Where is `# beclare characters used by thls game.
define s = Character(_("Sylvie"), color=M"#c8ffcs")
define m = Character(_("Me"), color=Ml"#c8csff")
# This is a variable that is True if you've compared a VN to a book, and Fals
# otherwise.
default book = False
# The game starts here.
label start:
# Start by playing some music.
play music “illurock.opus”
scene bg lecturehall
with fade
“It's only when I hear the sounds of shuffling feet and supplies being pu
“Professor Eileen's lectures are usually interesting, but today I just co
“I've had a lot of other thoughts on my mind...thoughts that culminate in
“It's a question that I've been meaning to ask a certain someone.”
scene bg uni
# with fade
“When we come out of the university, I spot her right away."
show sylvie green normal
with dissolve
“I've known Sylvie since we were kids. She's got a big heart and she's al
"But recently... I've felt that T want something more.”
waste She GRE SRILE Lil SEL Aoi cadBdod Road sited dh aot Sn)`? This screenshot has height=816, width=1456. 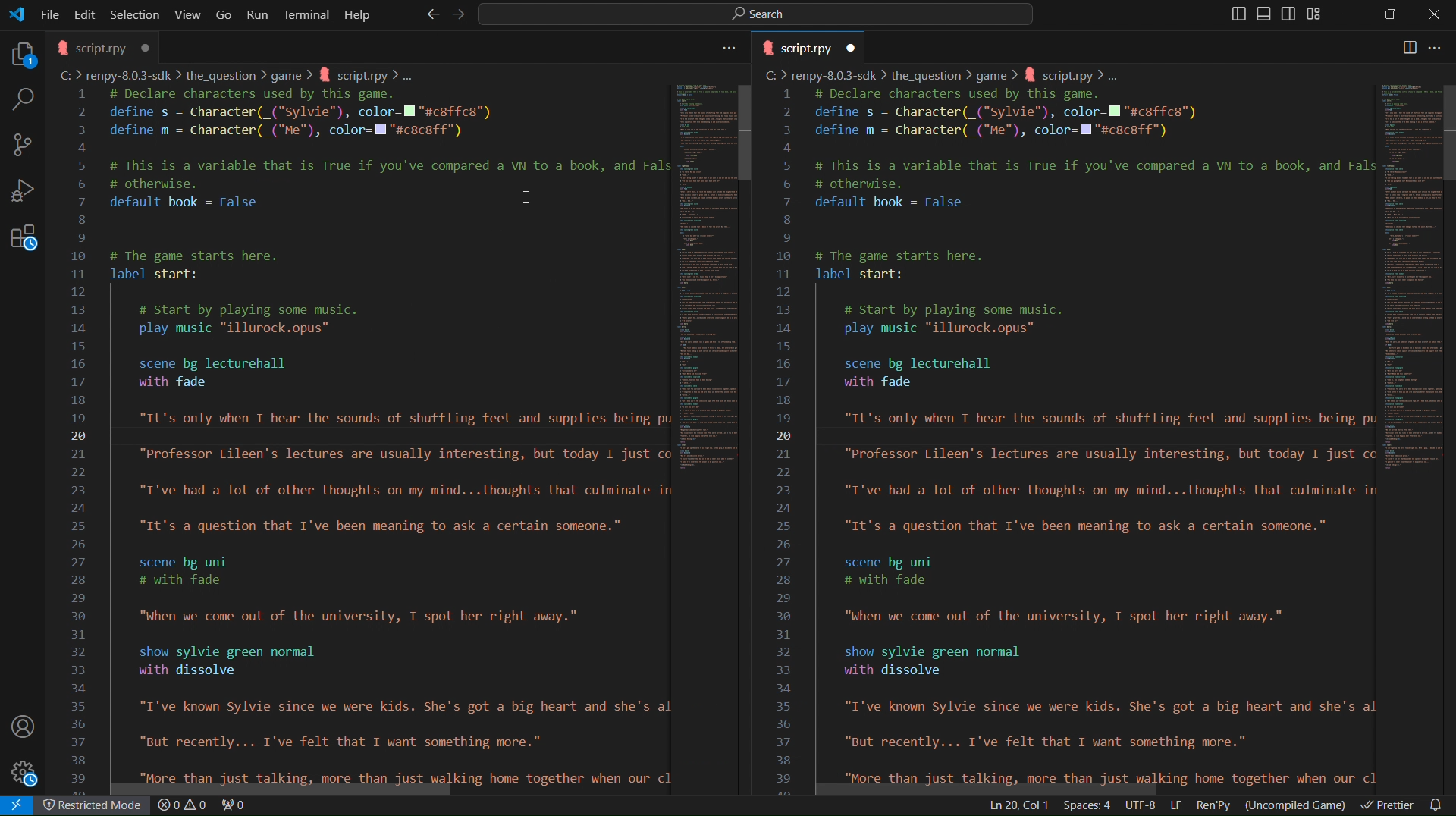
# beclare characters used by thls game.
define s = Character(_("Sylvie"), color=M"#c8ffcs")
define m = Character(_("Me"), color=Ml"#c8csff")
# This is a variable that is True if you've compared a VN to a book, and Fals
# otherwise.
default book = False
# The game starts here.
label start:
# Start by playing some music.
play music “illurock.opus”
scene bg lecturehall
with fade
“It's only when I hear the sounds of shuffling feet and supplies being pu
“Professor Eileen's lectures are usually interesting, but today I just co
“I've had a lot of other thoughts on my mind...thoughts that culminate in
“It's a question that I've been meaning to ask a certain someone.”
scene bg uni
# with fade
“When we come out of the university, I spot her right away."
show sylvie green normal
with dissolve
“I've known Sylvie since we were kids. She's got a big heart and she's al
"But recently... I've felt that T want something more.”
waste She GRE SRILE Lil SEL Aoi cadBdod Road sited dh aot Sn) is located at coordinates (1094, 436).